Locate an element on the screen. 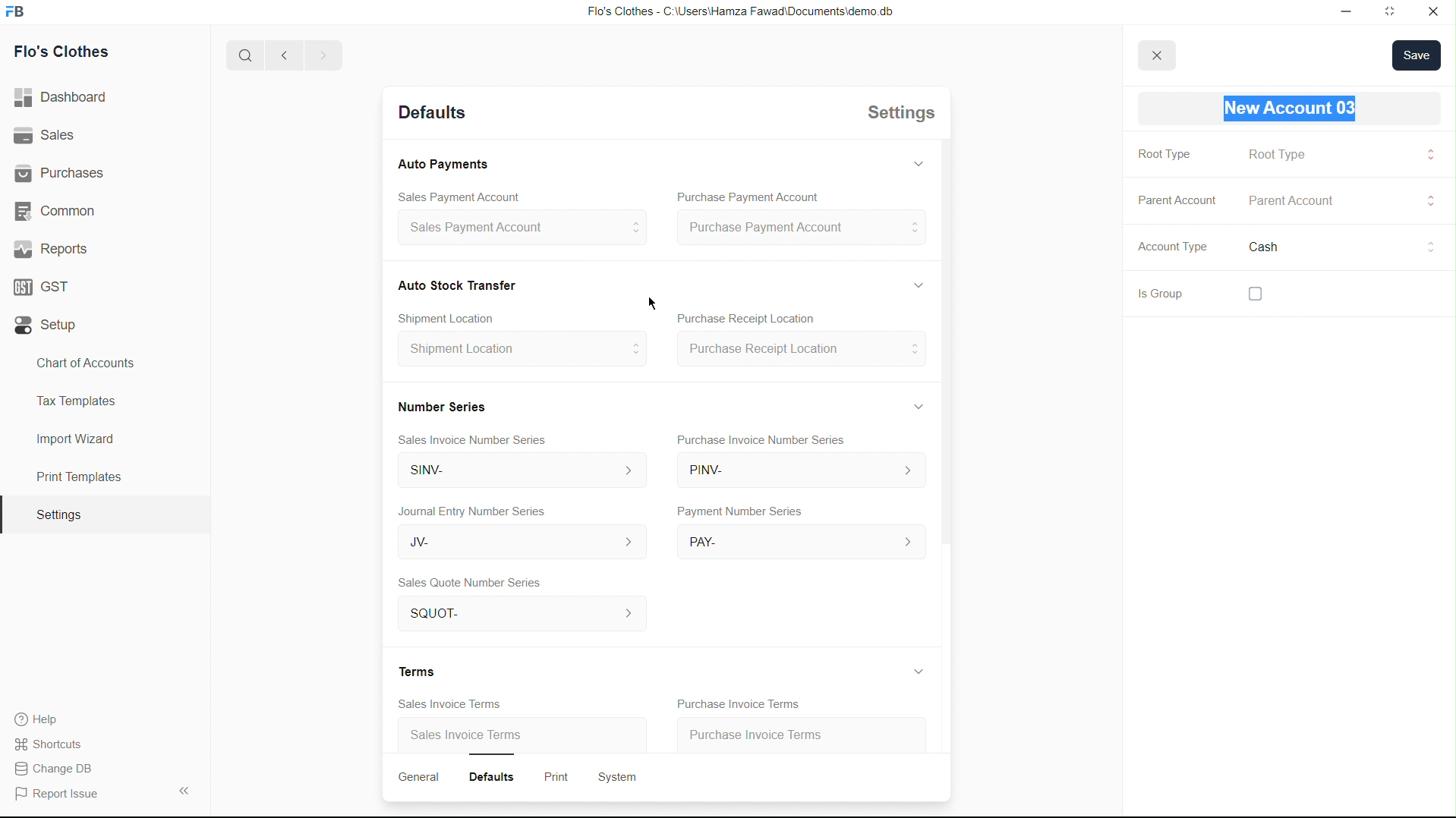  Sales Invoice Number Series is located at coordinates (478, 437).